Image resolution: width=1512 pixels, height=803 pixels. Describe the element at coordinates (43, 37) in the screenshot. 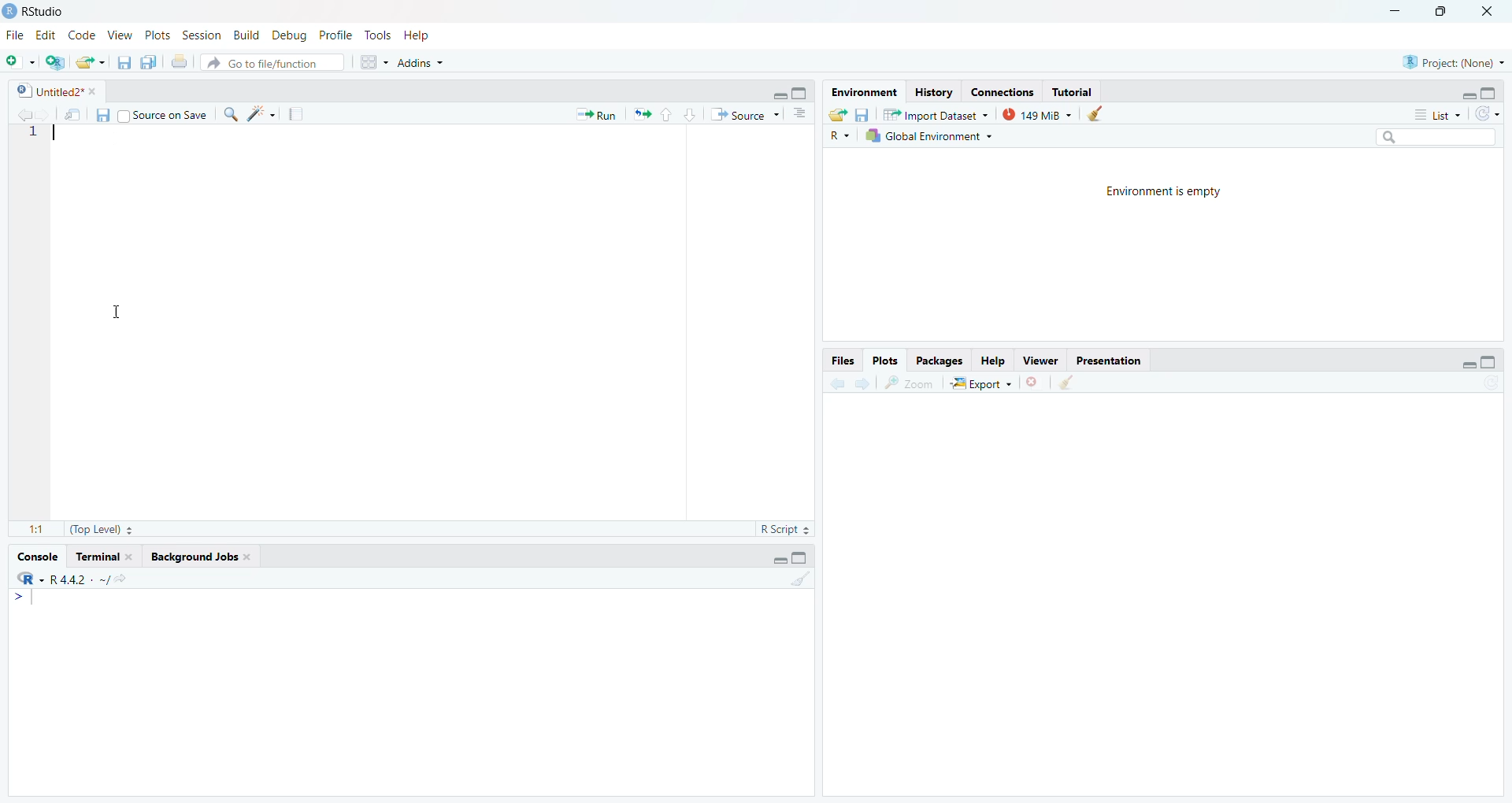

I see `Edit` at that location.